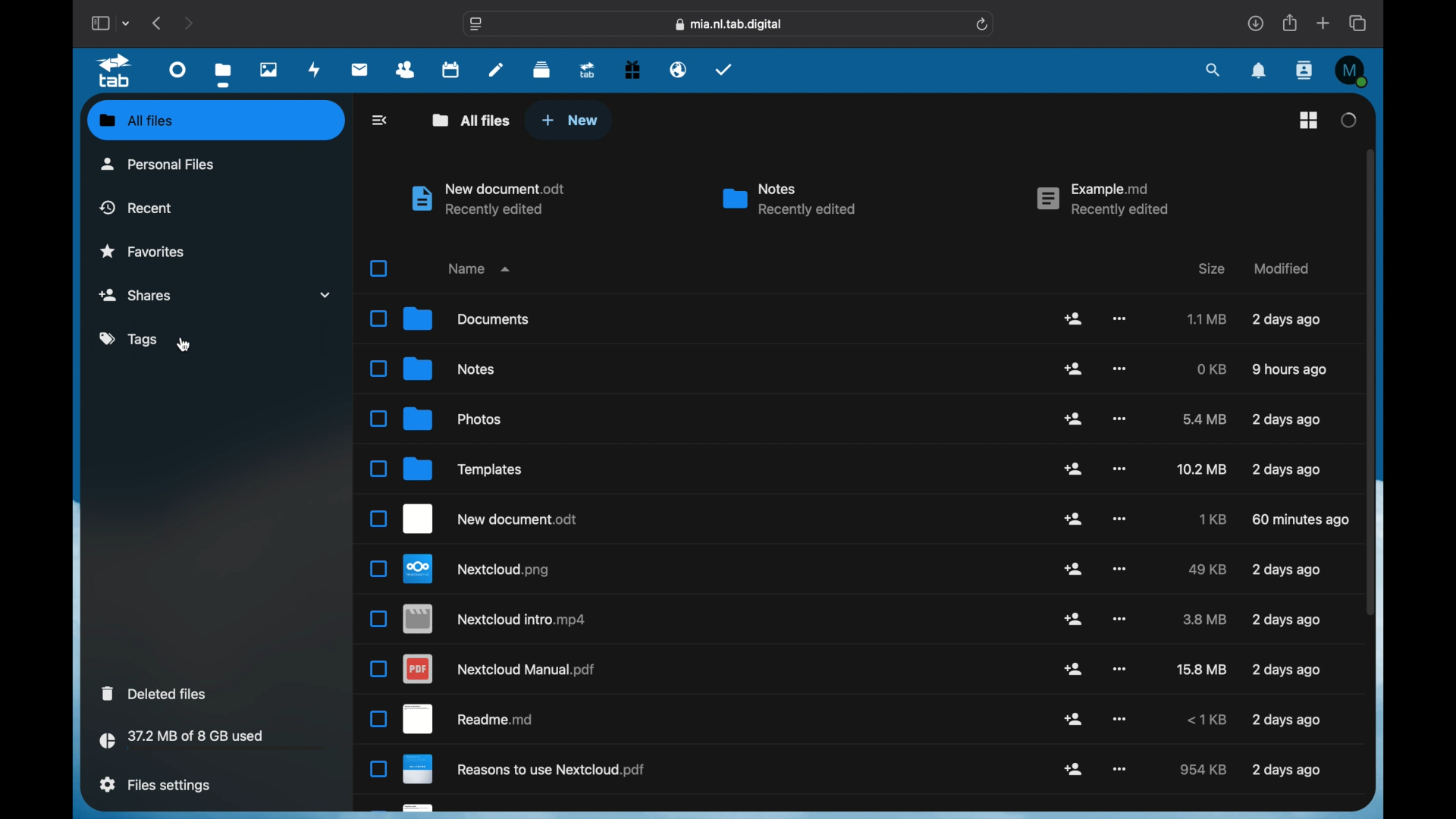 The image size is (1456, 819). What do you see at coordinates (729, 25) in the screenshot?
I see `web address` at bounding box center [729, 25].